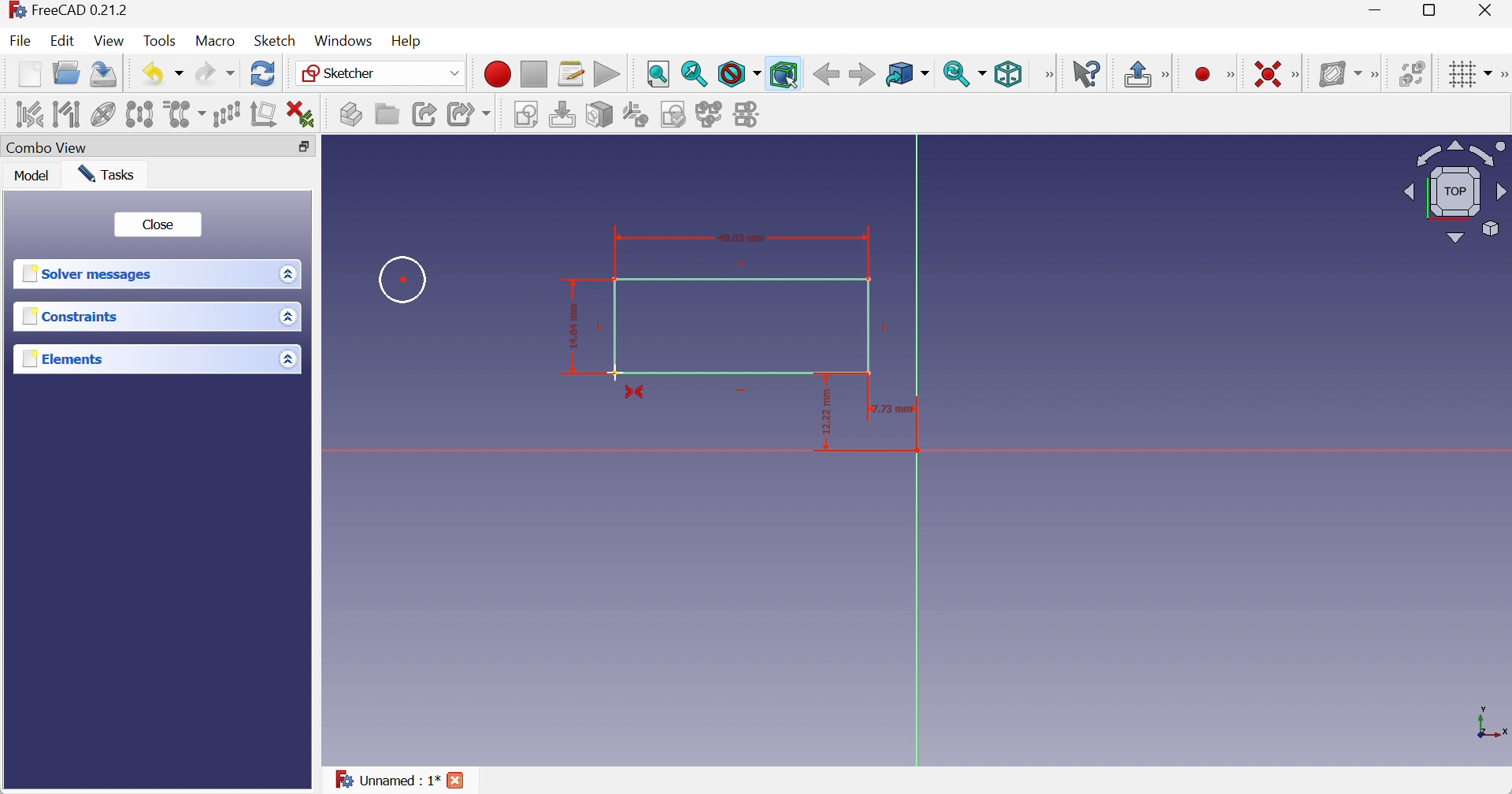  I want to click on Restore down, so click(305, 148).